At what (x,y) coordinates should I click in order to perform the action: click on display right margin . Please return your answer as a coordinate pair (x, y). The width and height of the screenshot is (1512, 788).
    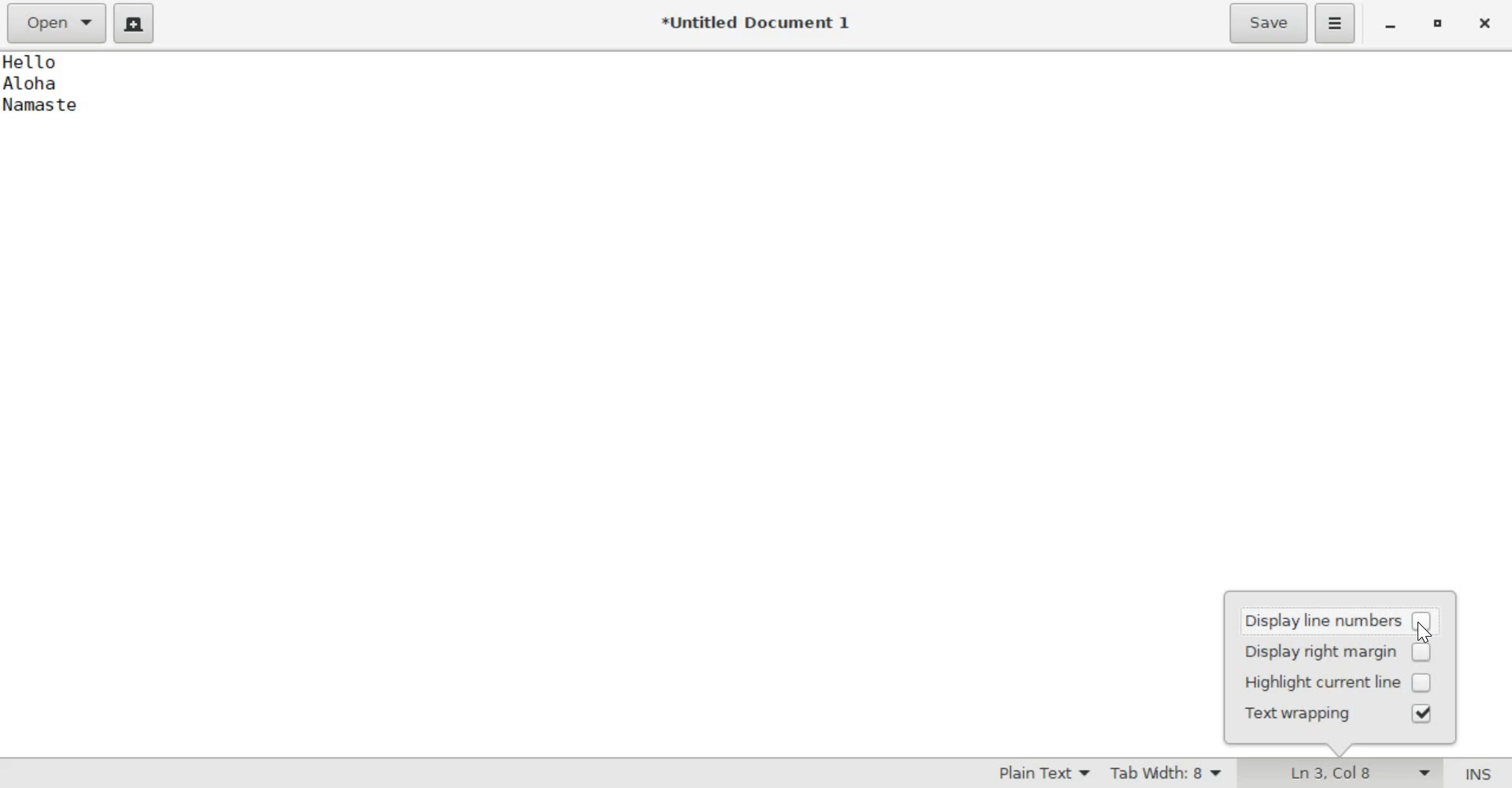
    Looking at the image, I should click on (1336, 653).